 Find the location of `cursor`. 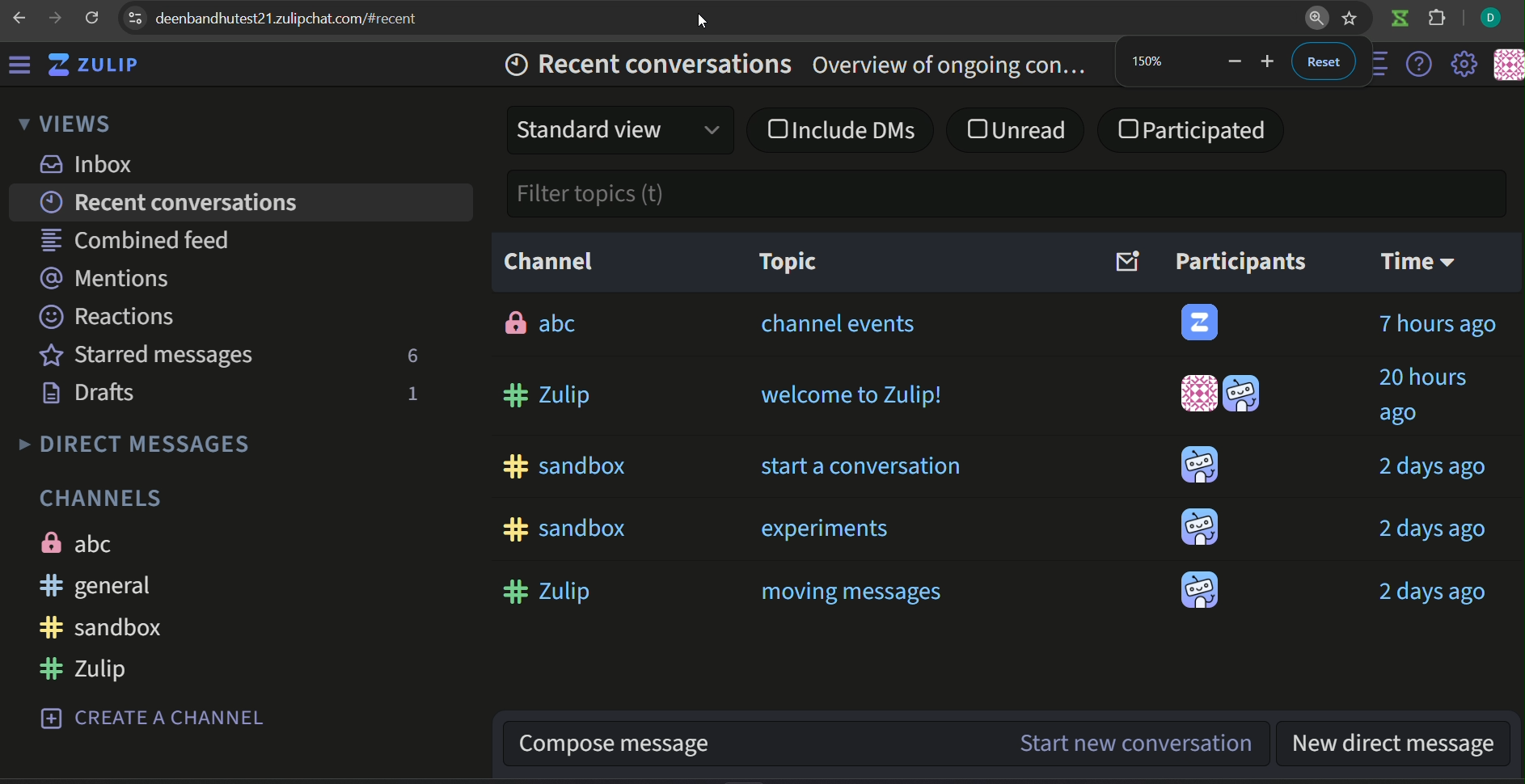

cursor is located at coordinates (704, 20).